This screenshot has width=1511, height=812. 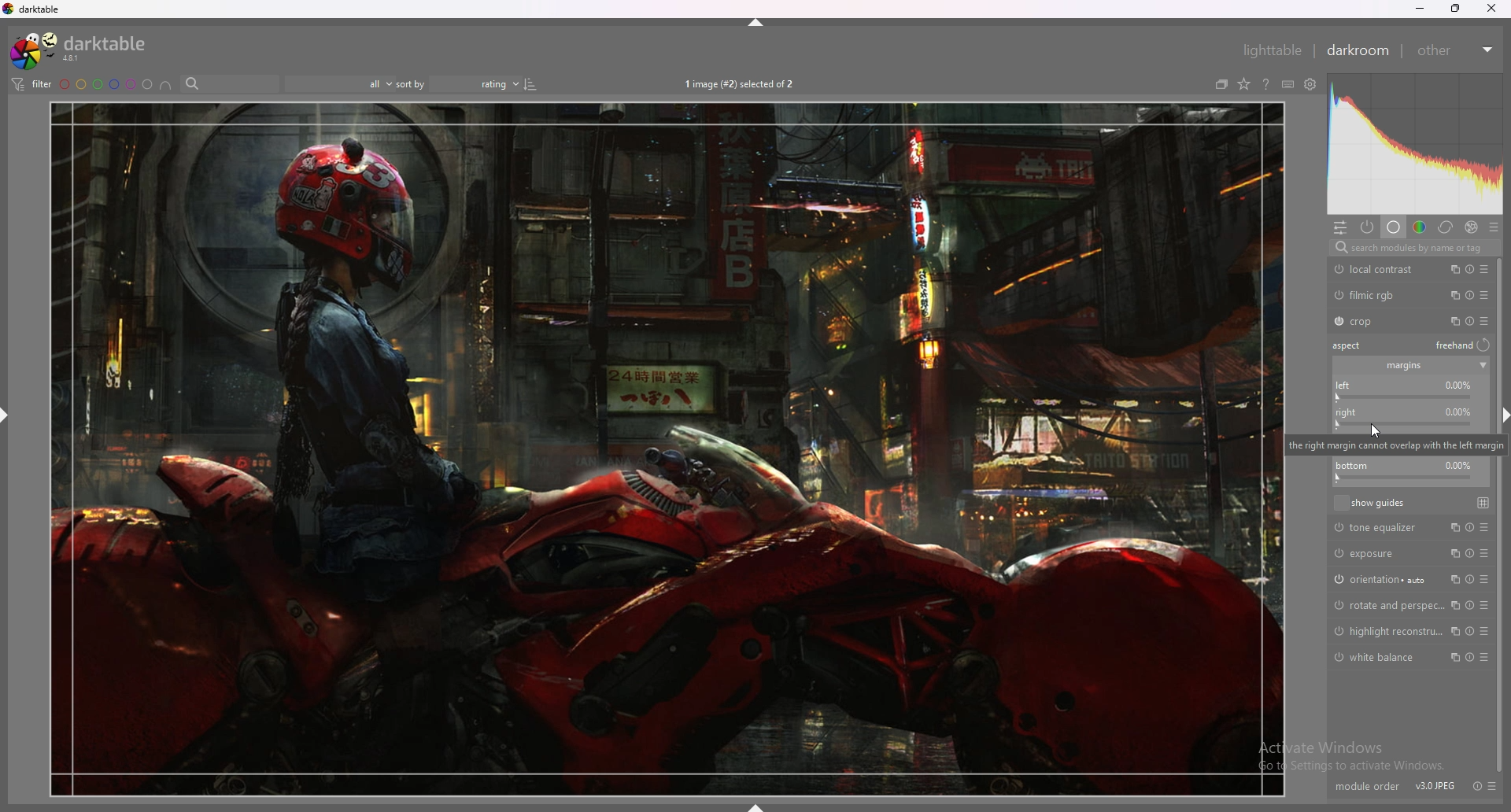 What do you see at coordinates (1395, 227) in the screenshot?
I see `base` at bounding box center [1395, 227].